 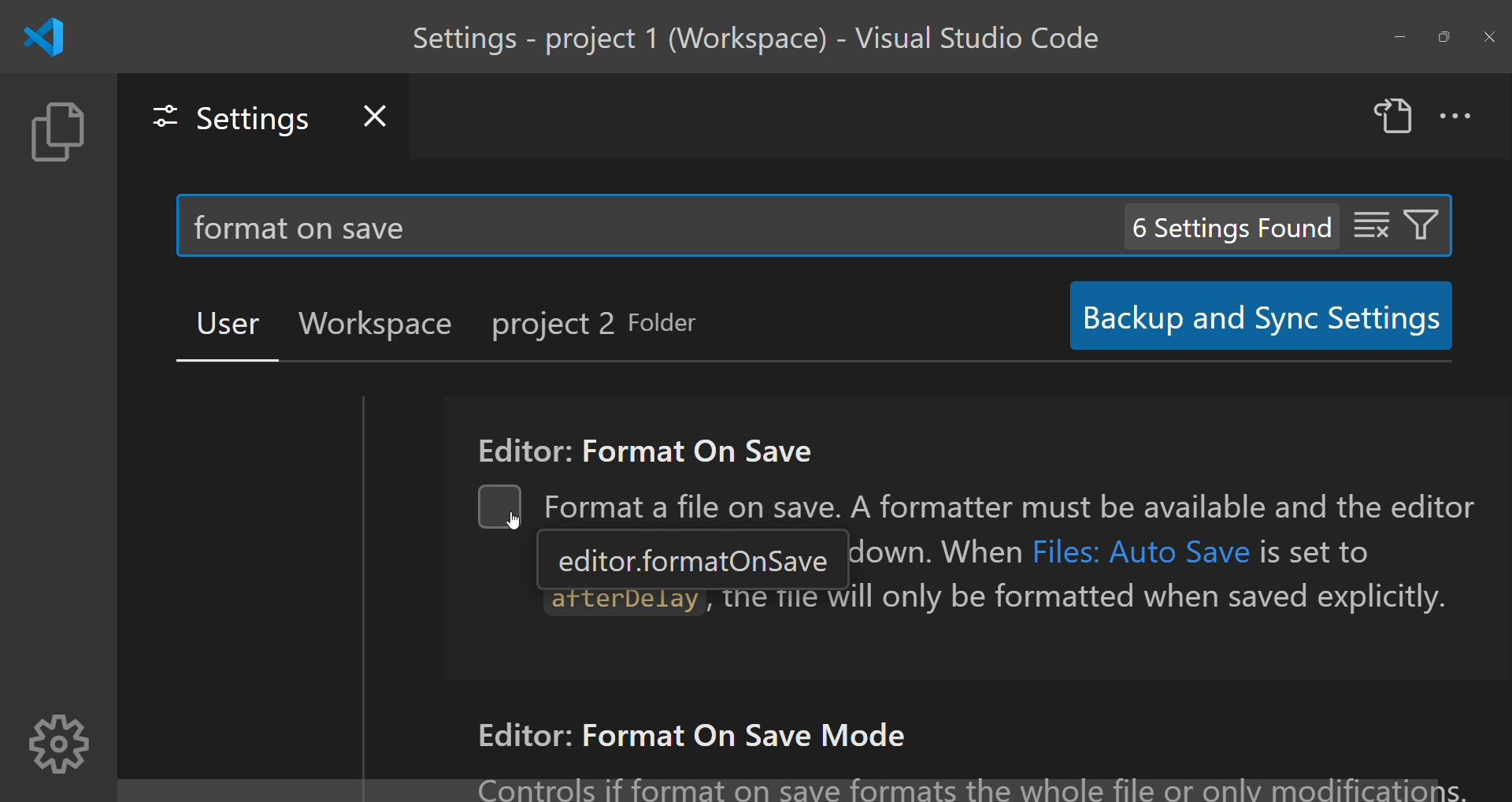 I want to click on workplace, so click(x=374, y=323).